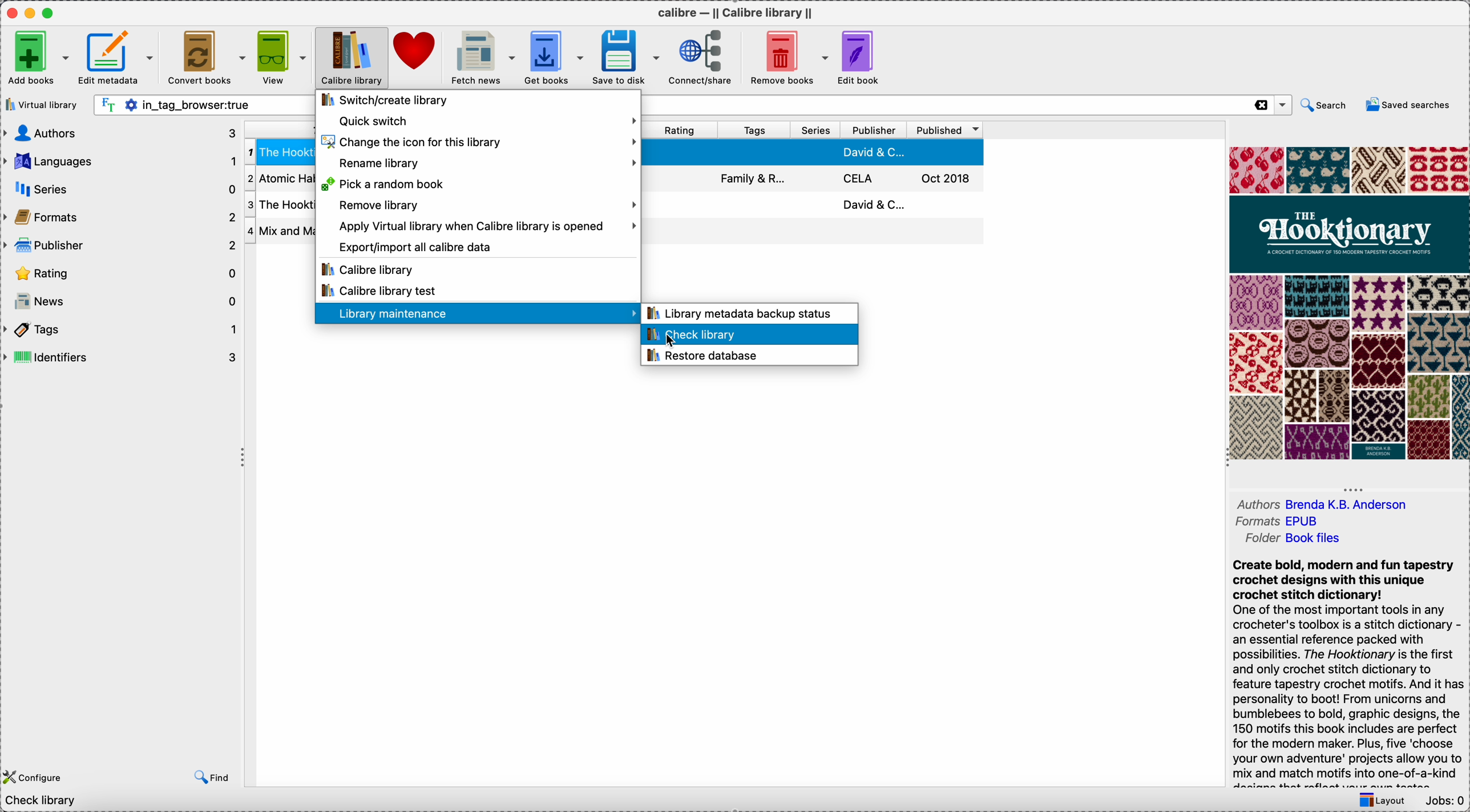 The height and width of the screenshot is (812, 1470). What do you see at coordinates (120, 244) in the screenshot?
I see `publisher` at bounding box center [120, 244].